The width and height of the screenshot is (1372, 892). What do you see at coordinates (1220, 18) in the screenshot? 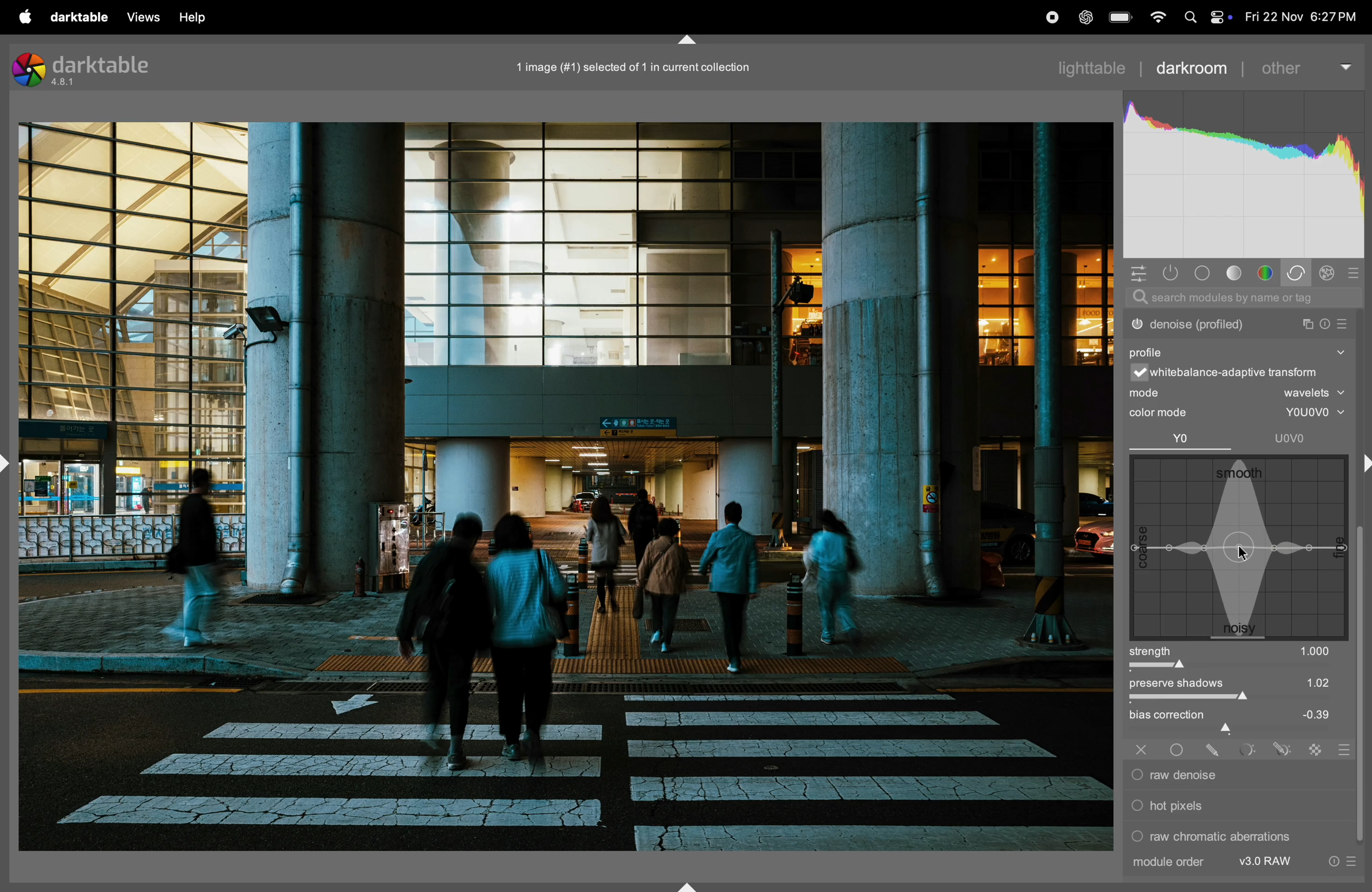
I see `apple widgets` at bounding box center [1220, 18].